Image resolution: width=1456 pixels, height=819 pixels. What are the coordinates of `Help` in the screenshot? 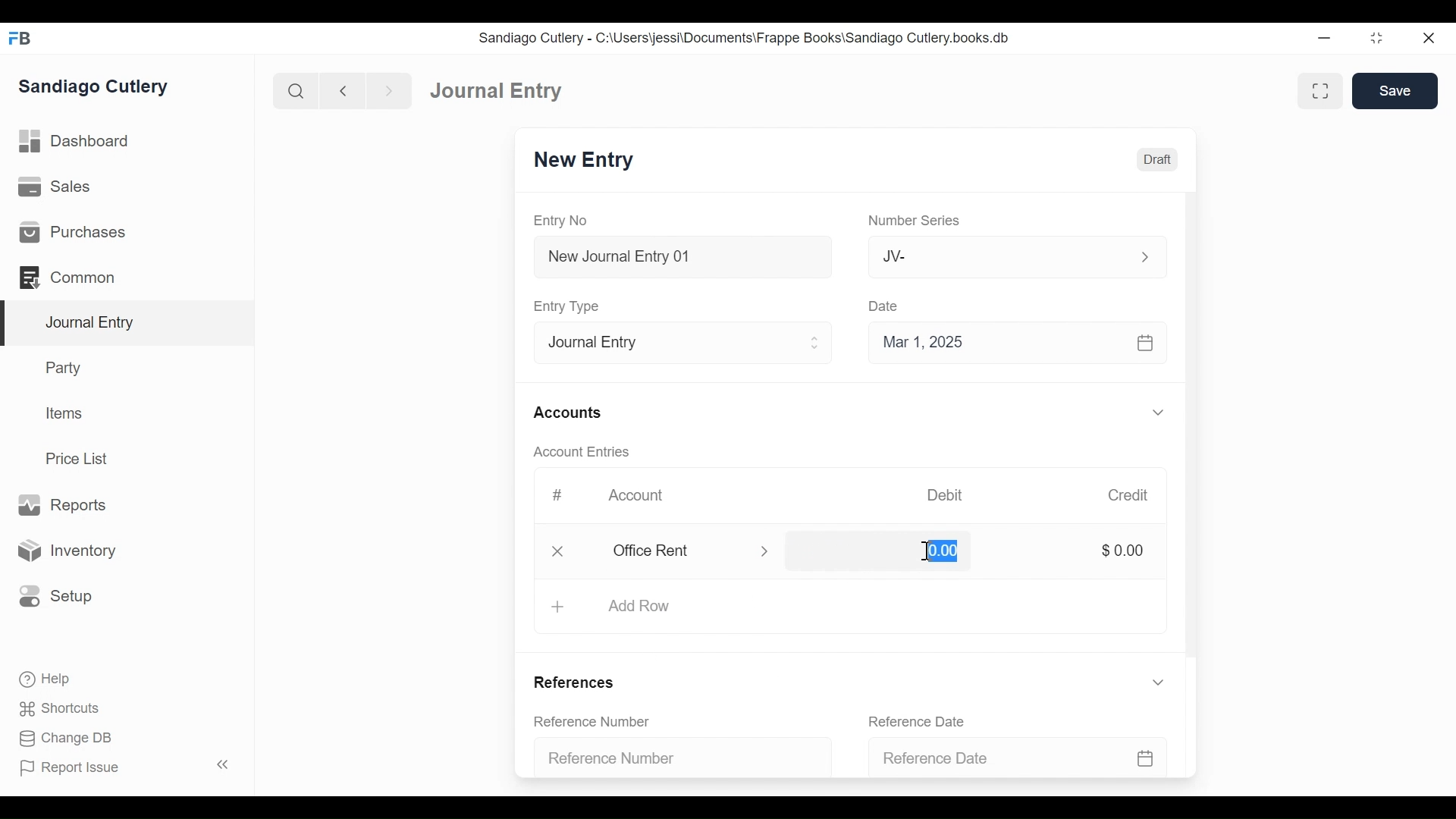 It's located at (38, 680).